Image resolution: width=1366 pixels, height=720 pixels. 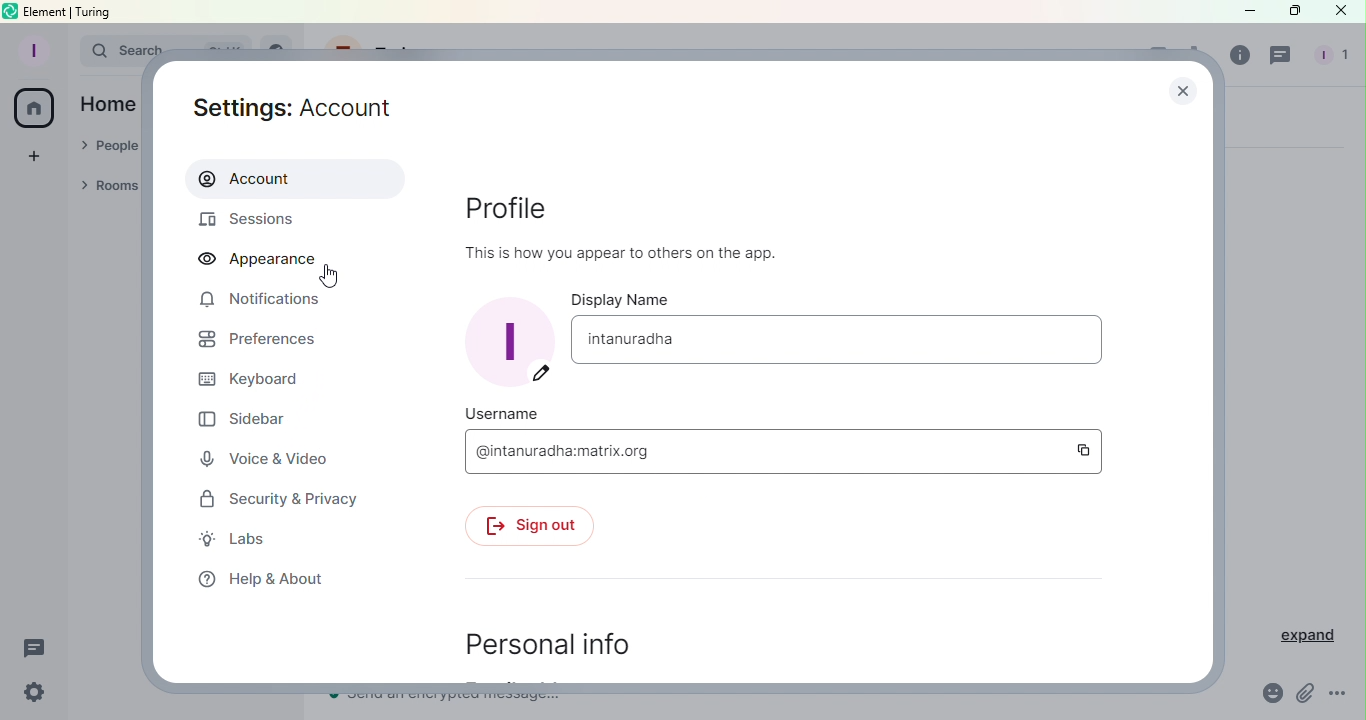 I want to click on element, so click(x=47, y=12).